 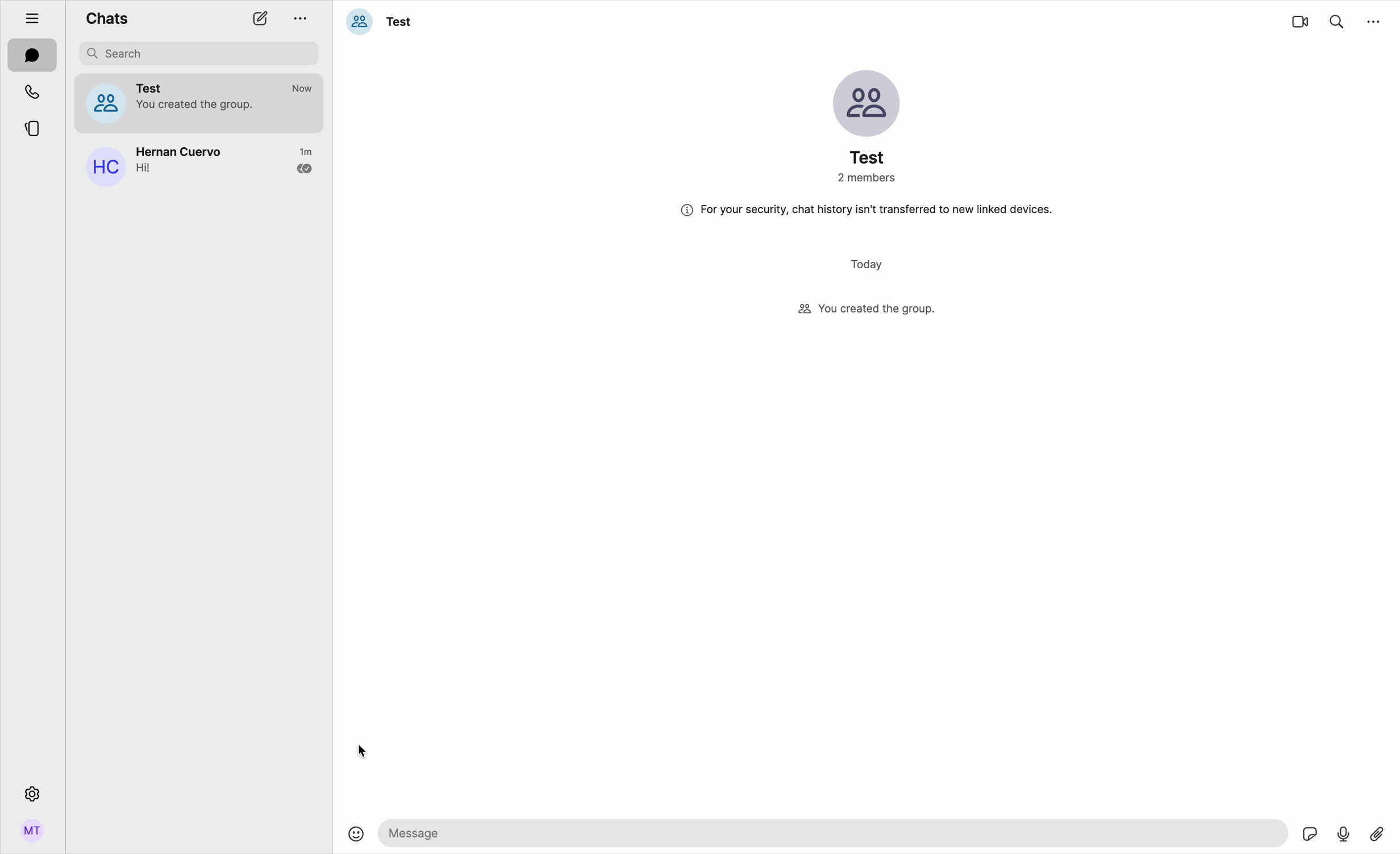 I want to click on create options, so click(x=262, y=19).